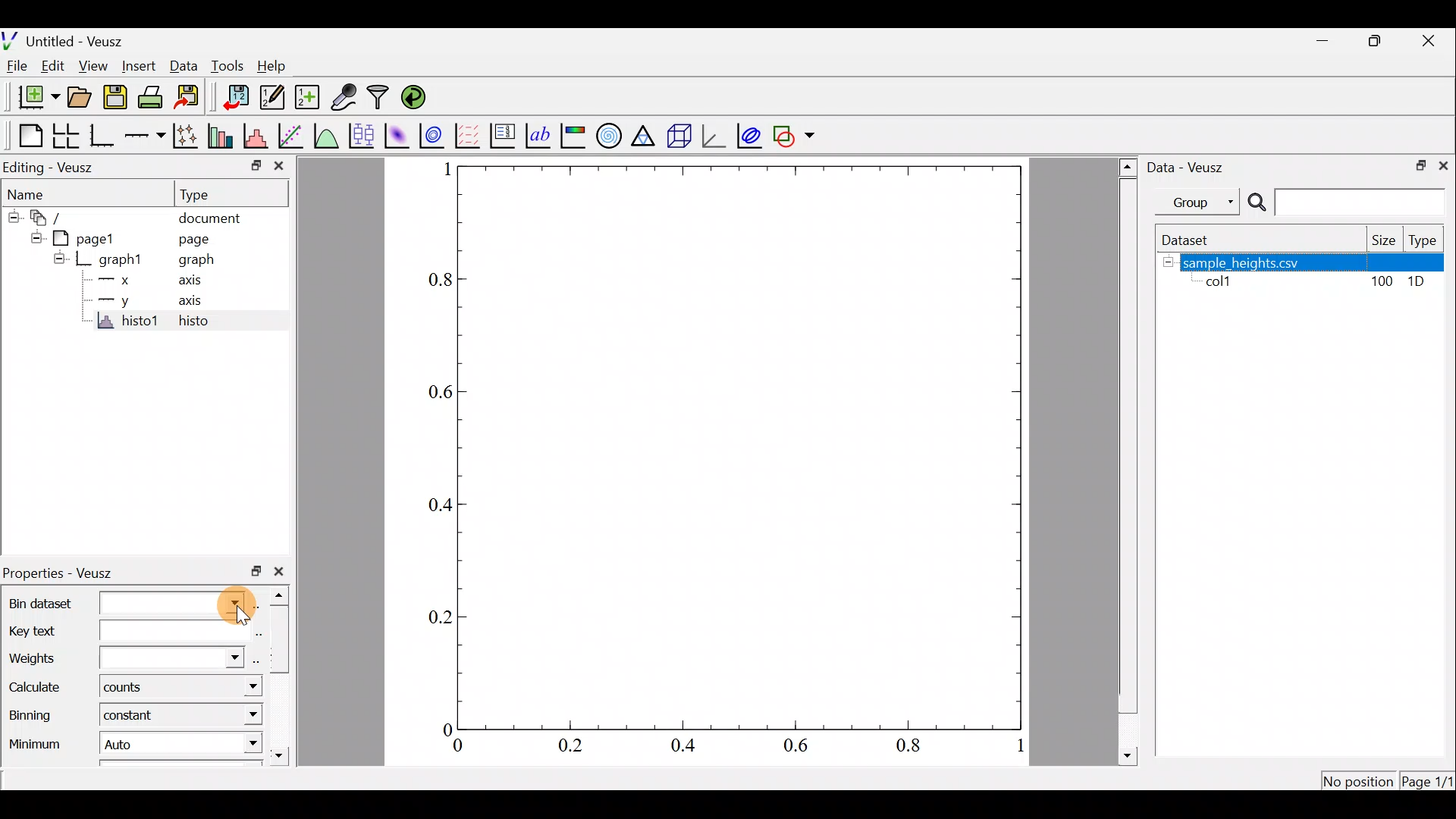  What do you see at coordinates (684, 747) in the screenshot?
I see `0.4` at bounding box center [684, 747].